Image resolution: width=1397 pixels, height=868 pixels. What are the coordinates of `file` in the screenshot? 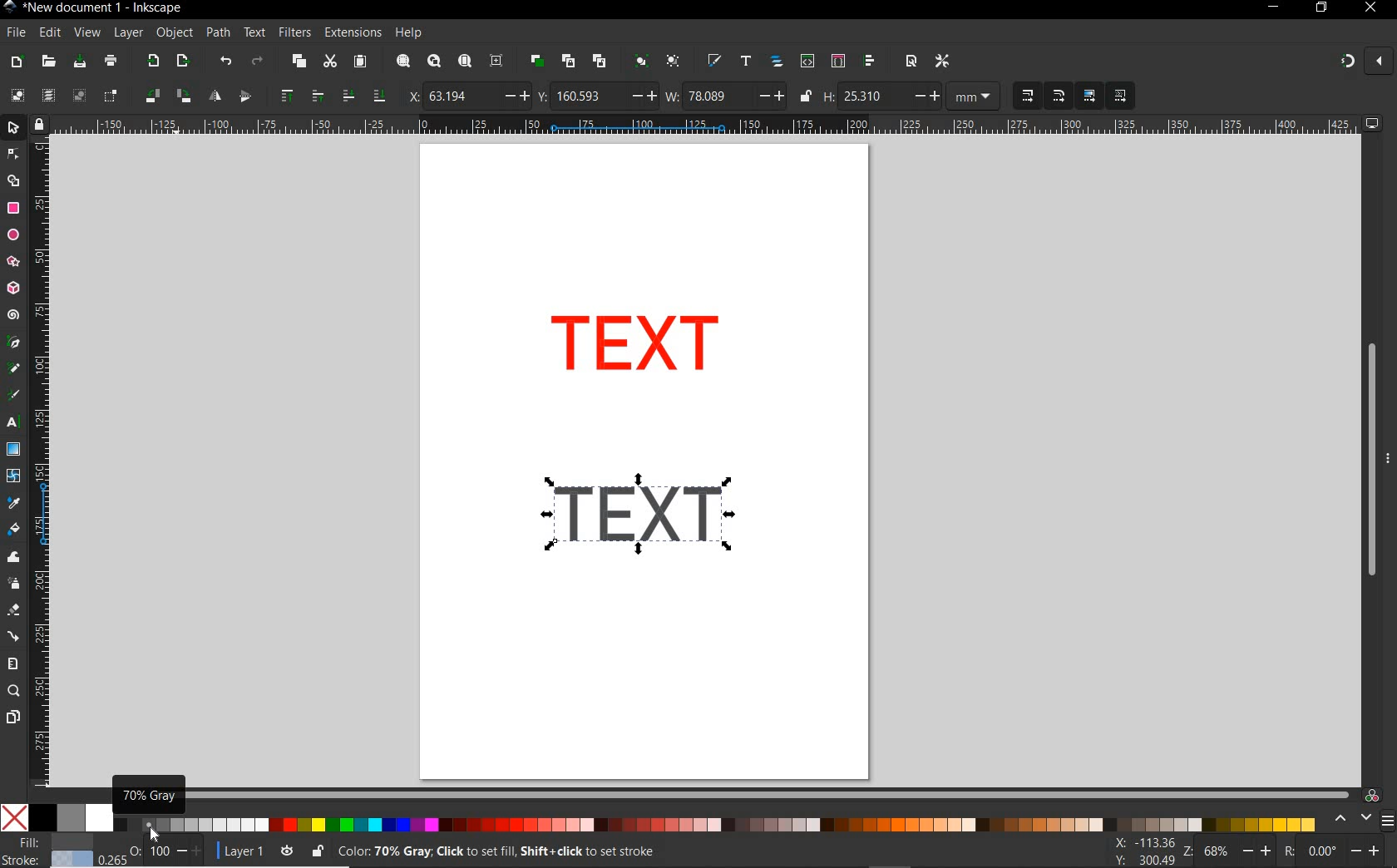 It's located at (14, 32).